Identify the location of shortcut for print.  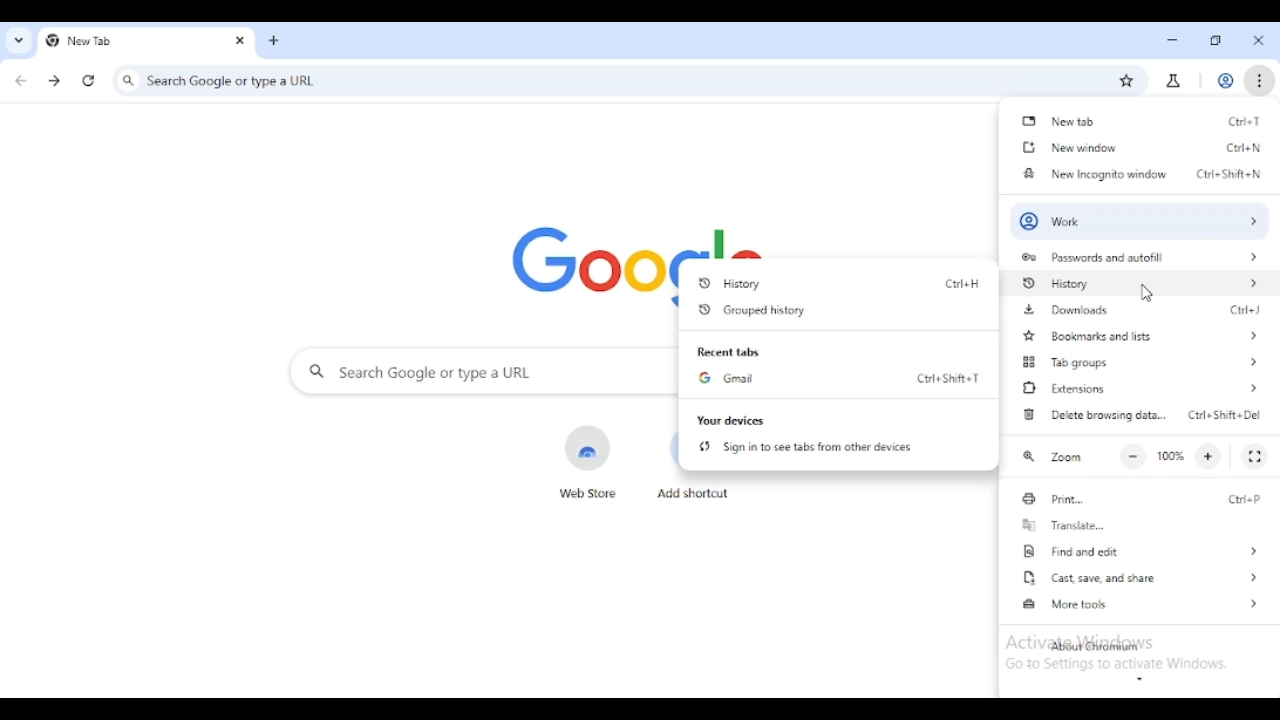
(1240, 498).